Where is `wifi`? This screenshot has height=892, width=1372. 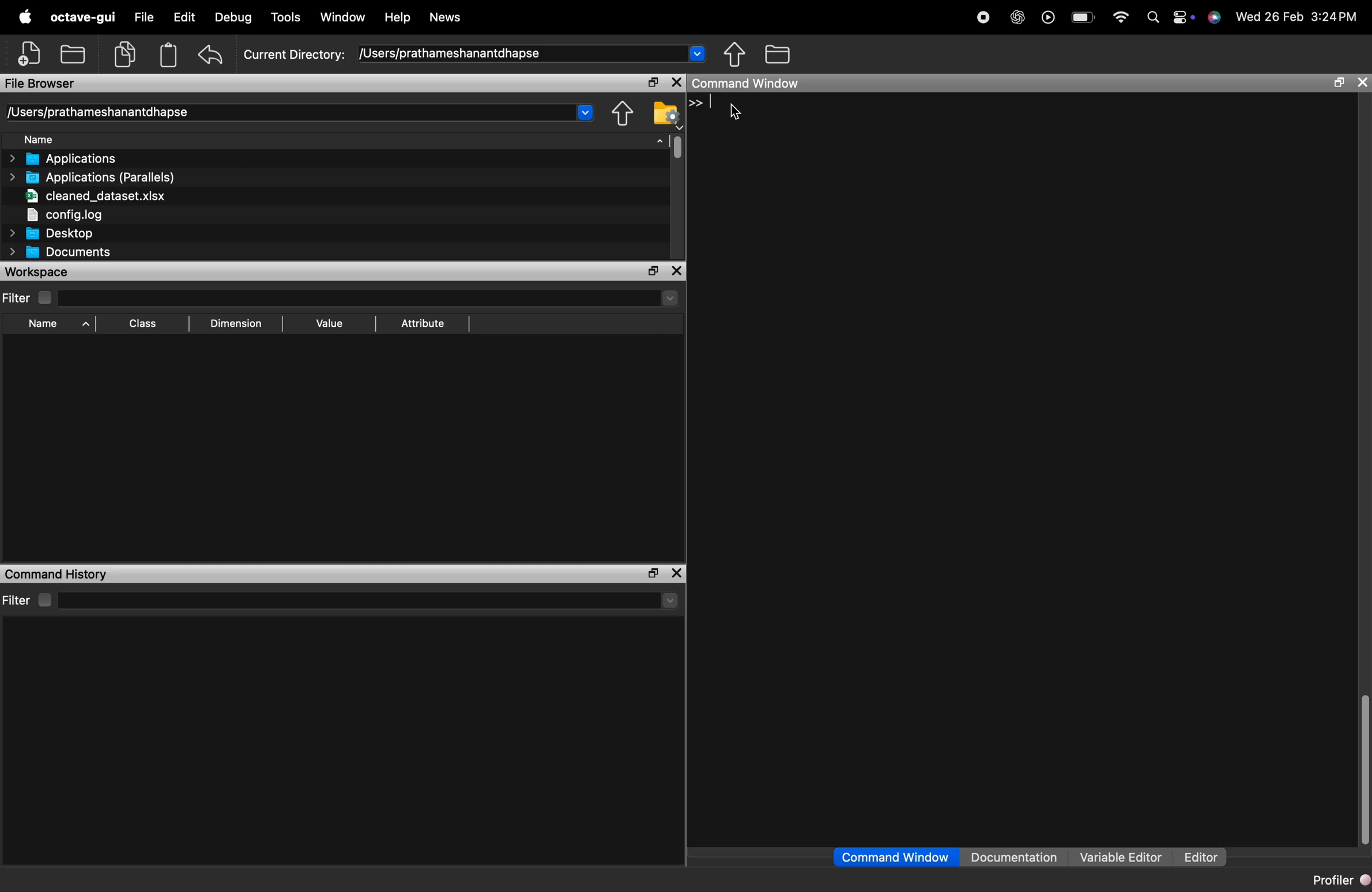 wifi is located at coordinates (1118, 17).